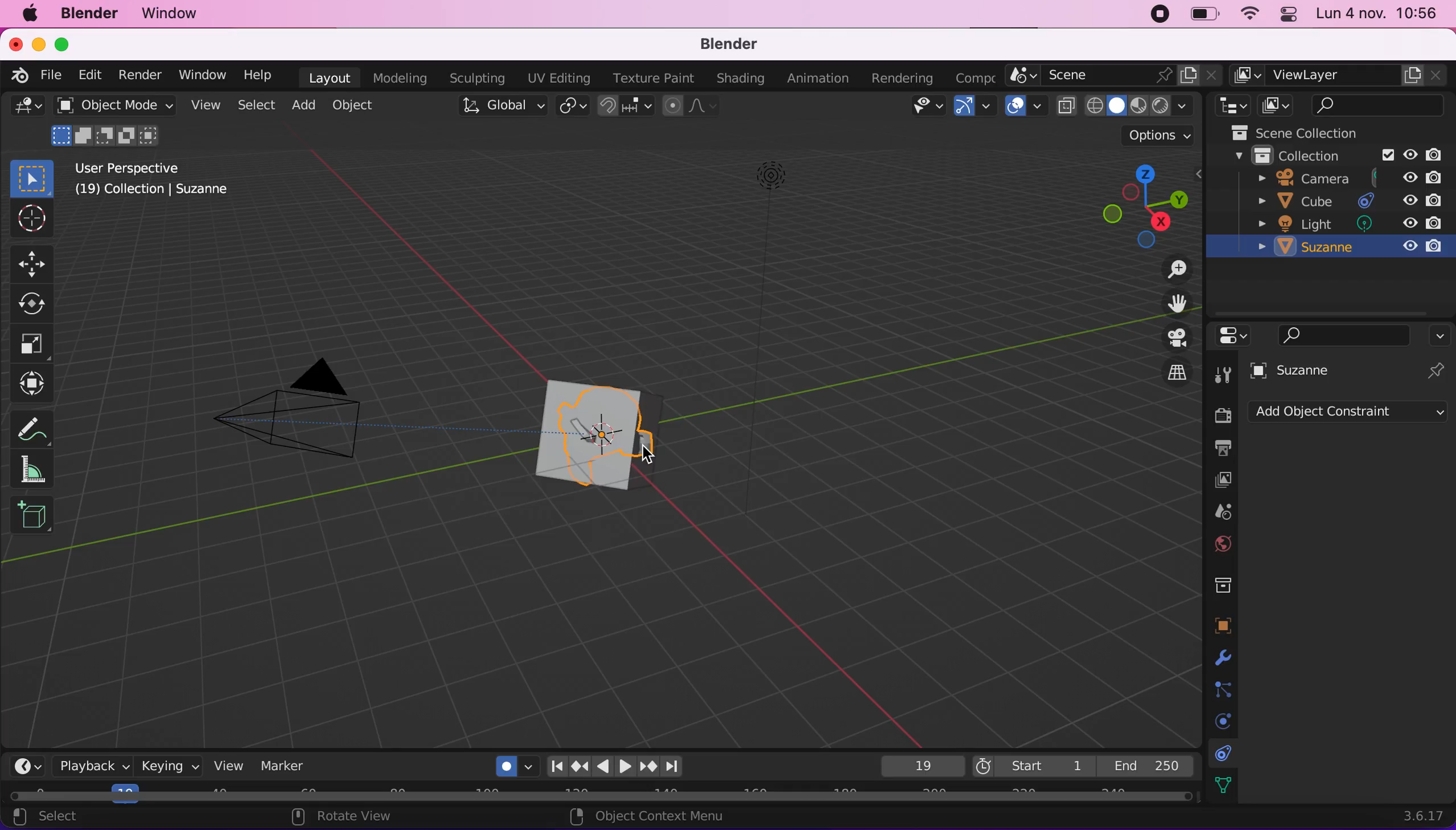  What do you see at coordinates (1031, 764) in the screenshot?
I see `first frame` at bounding box center [1031, 764].